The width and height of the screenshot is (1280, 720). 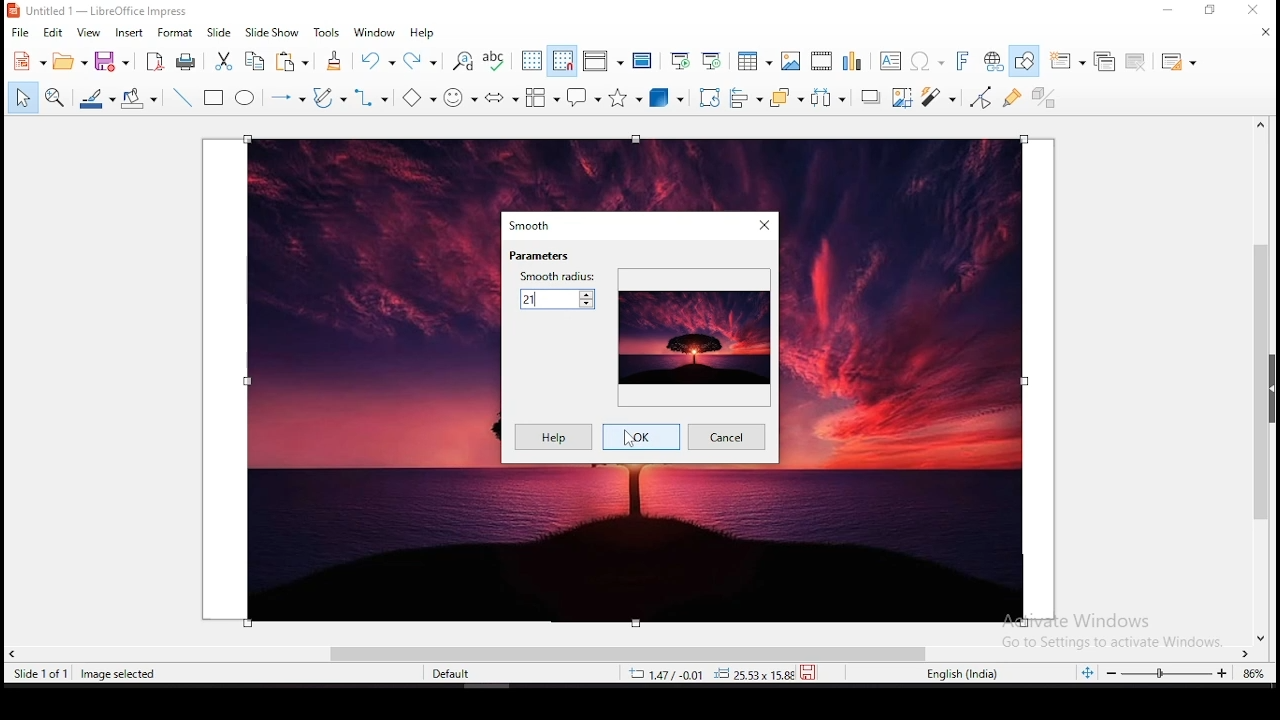 What do you see at coordinates (532, 225) in the screenshot?
I see `dmooth` at bounding box center [532, 225].